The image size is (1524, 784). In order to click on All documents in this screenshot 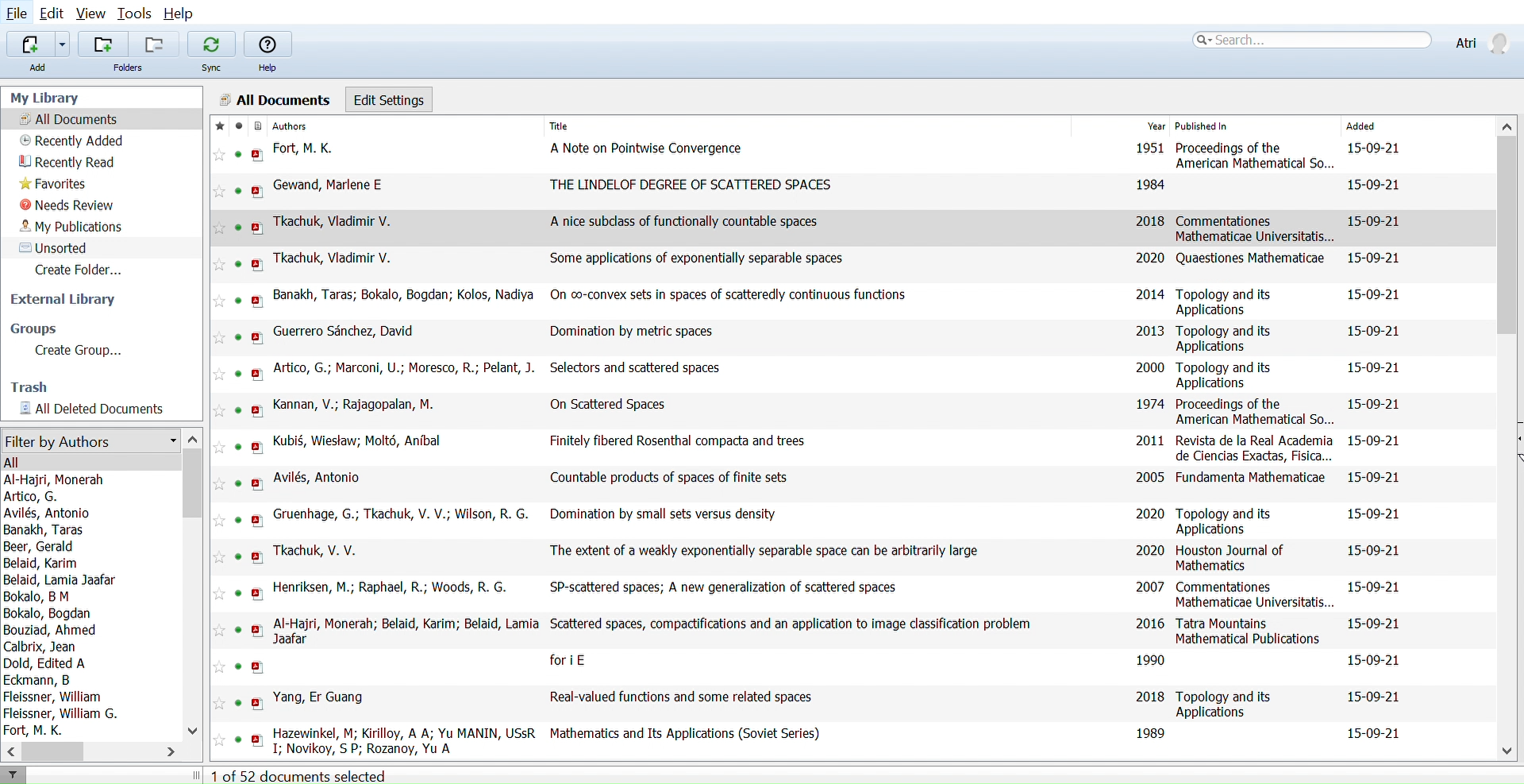, I will do `click(68, 119)`.